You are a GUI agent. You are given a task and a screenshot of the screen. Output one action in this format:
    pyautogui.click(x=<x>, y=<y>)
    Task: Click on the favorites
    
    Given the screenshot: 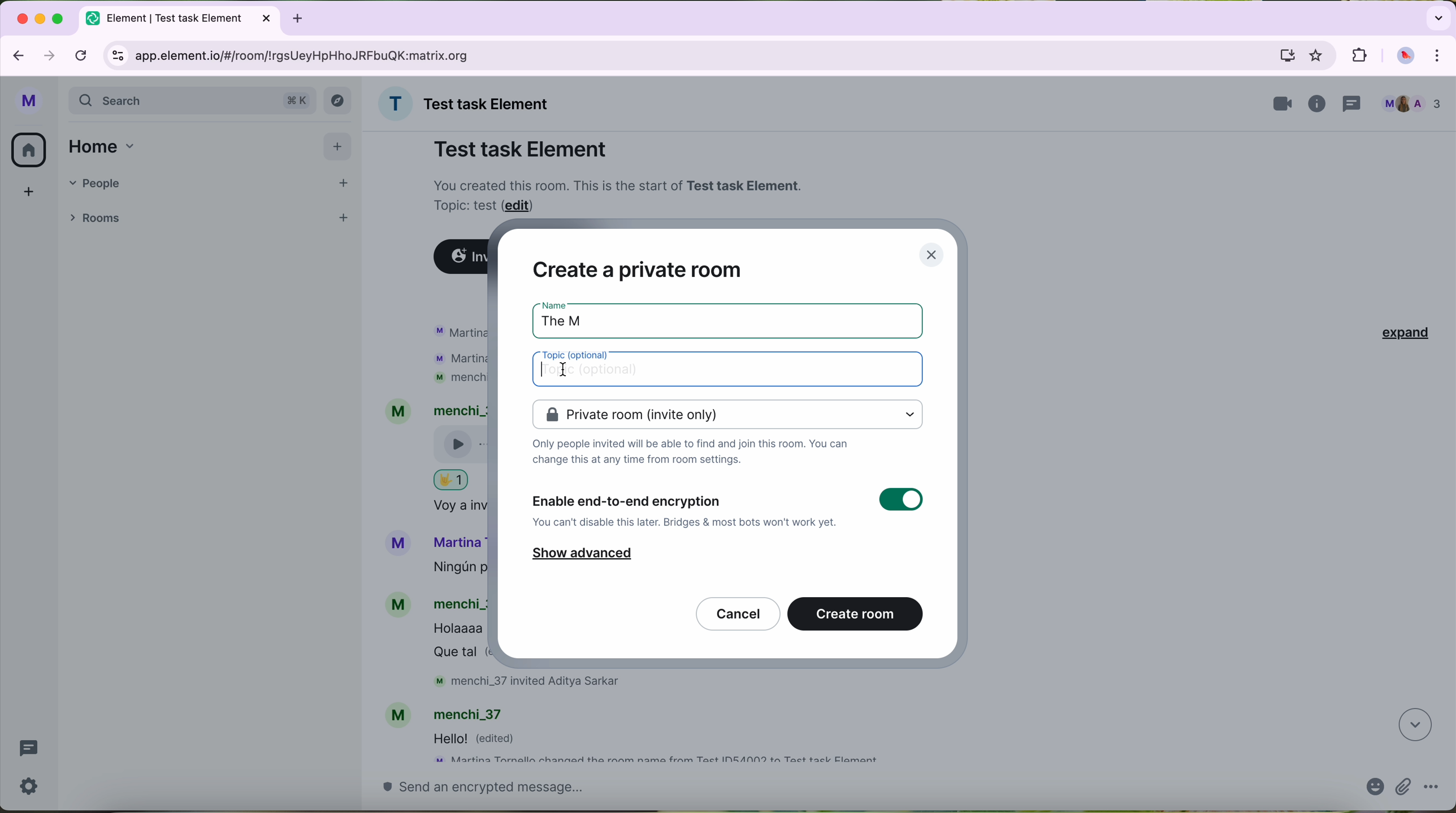 What is the action you would take?
    pyautogui.click(x=1319, y=56)
    